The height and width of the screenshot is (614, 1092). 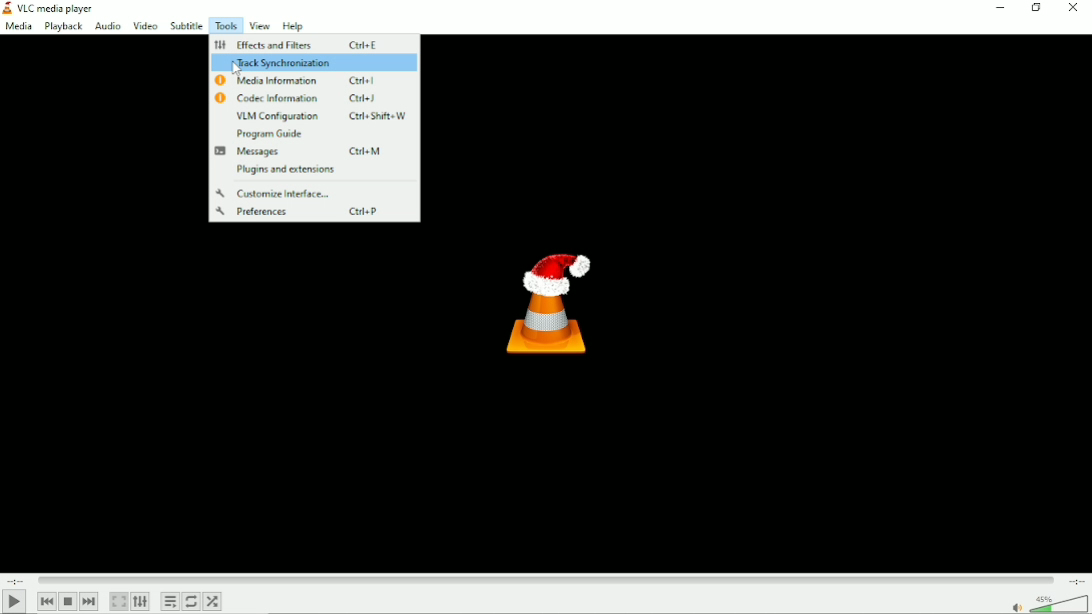 What do you see at coordinates (145, 25) in the screenshot?
I see `Video` at bounding box center [145, 25].